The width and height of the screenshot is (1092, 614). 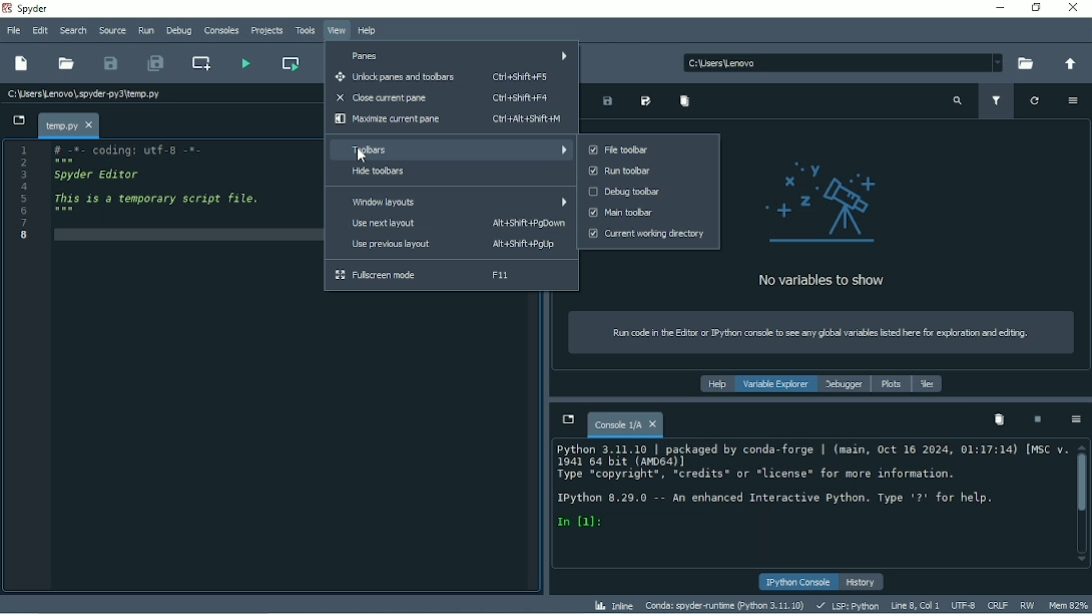 I want to click on RW, so click(x=1026, y=604).